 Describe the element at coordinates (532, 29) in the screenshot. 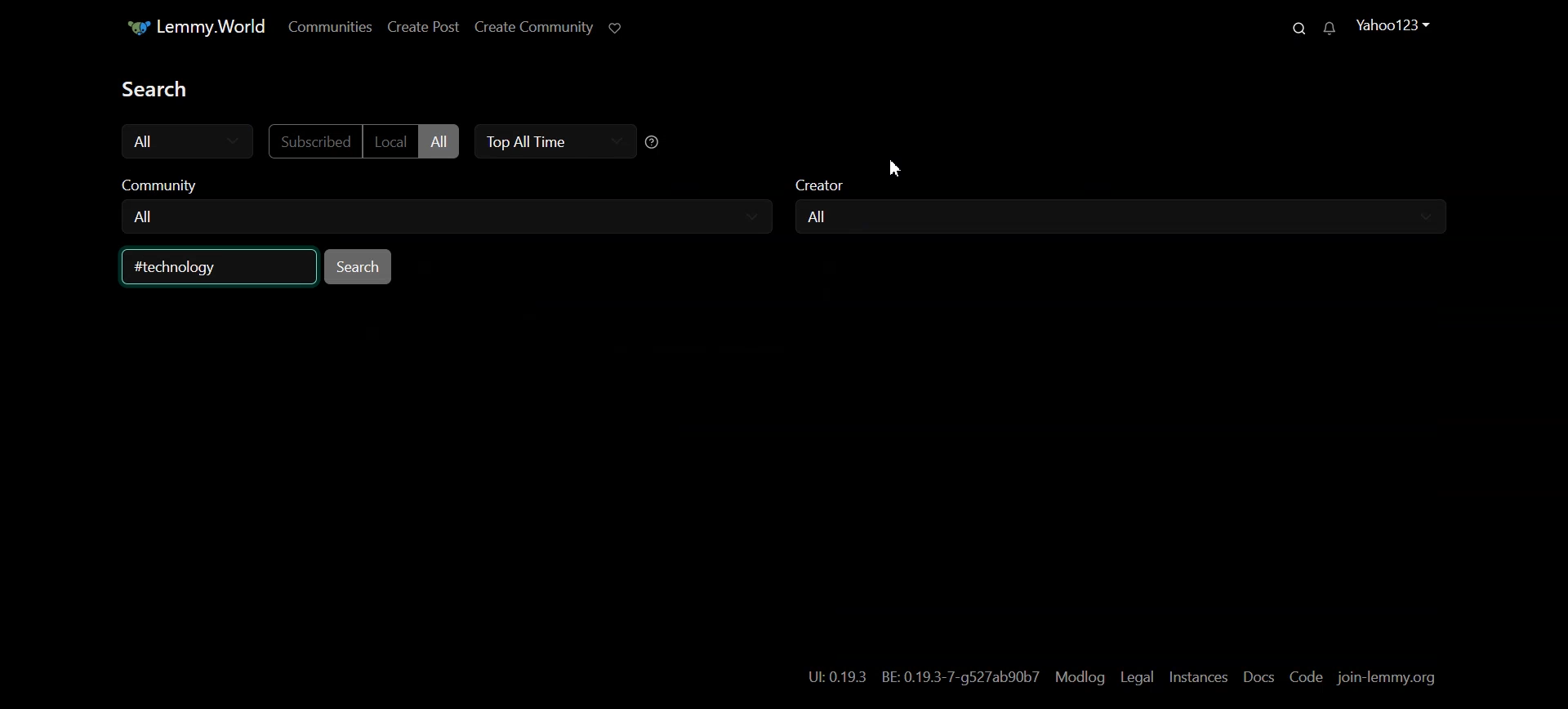

I see `Create Community` at that location.